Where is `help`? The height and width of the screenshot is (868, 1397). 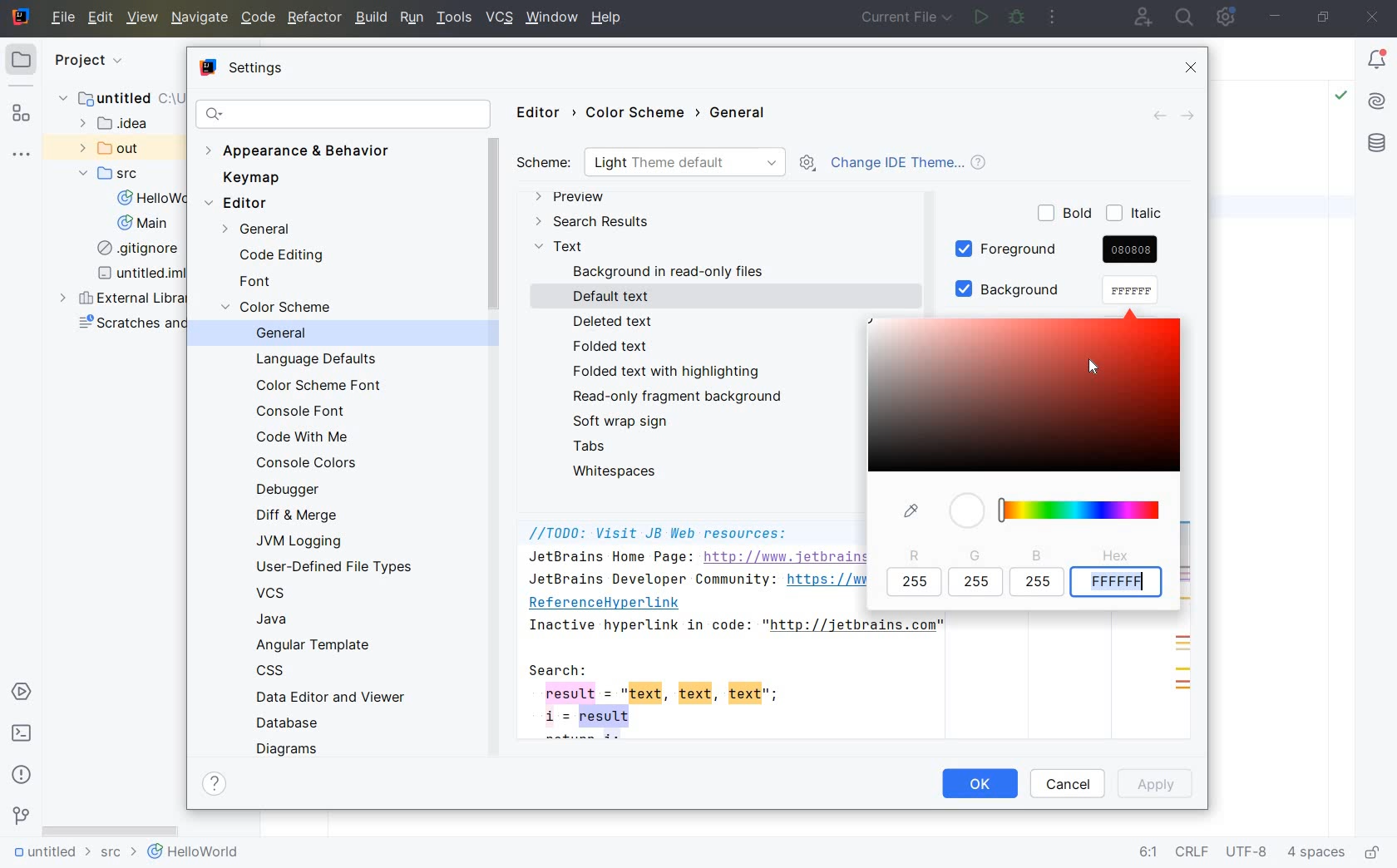
help is located at coordinates (610, 19).